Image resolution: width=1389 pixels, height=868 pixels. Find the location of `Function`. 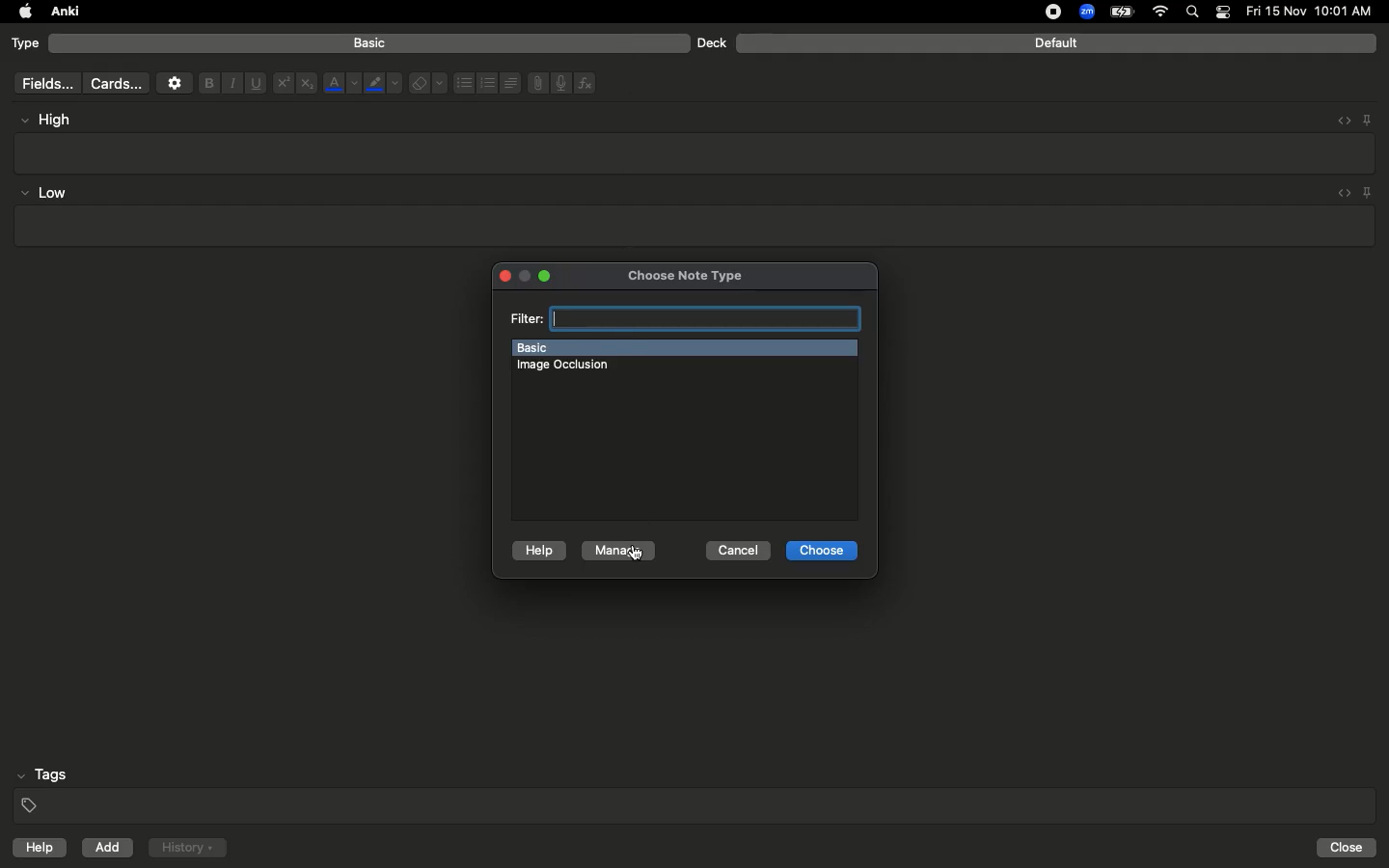

Function is located at coordinates (586, 83).